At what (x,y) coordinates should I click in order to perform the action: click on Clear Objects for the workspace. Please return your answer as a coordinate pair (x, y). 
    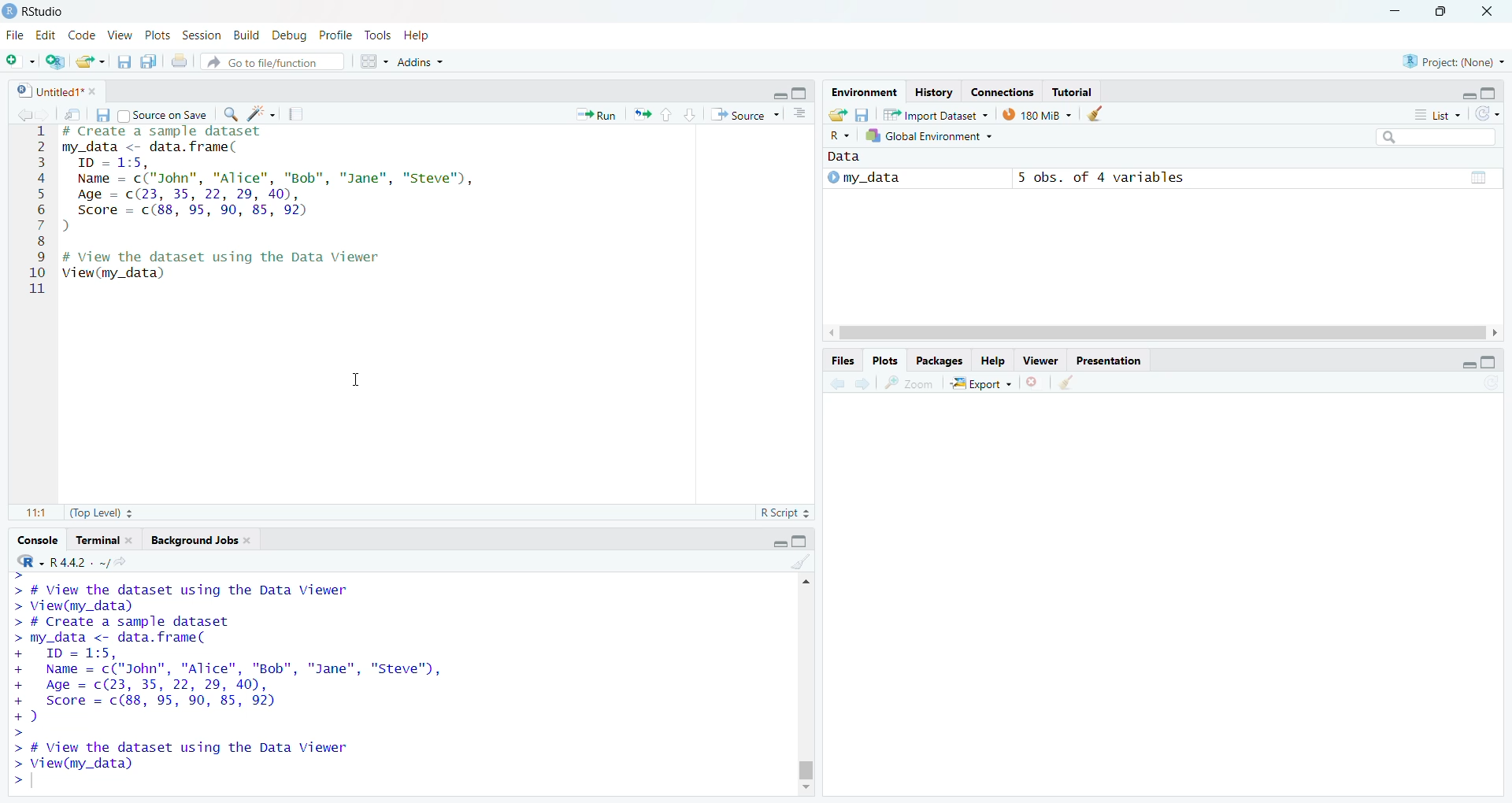
    Looking at the image, I should click on (798, 561).